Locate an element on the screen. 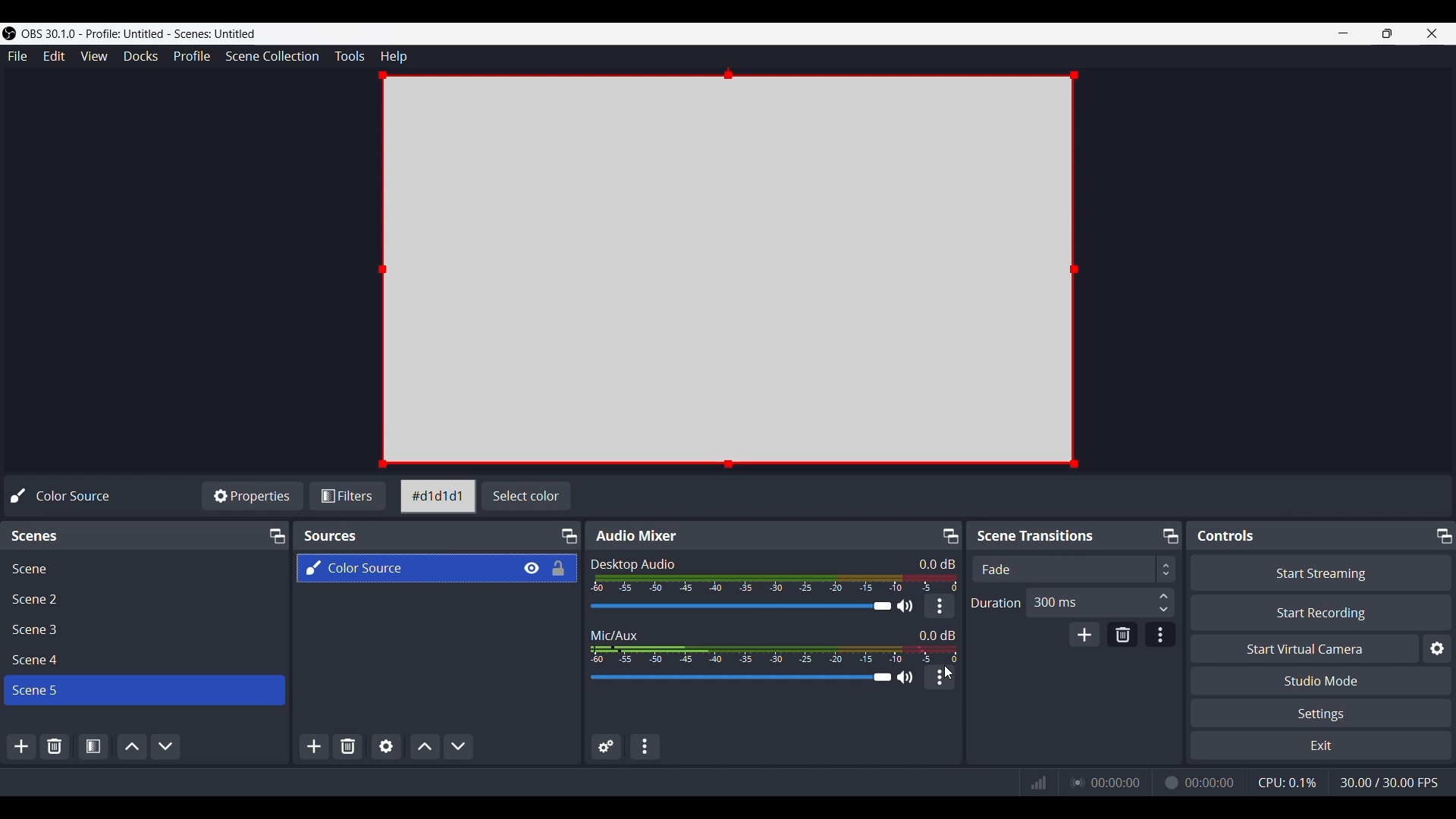  Move Sources Up  is located at coordinates (424, 747).